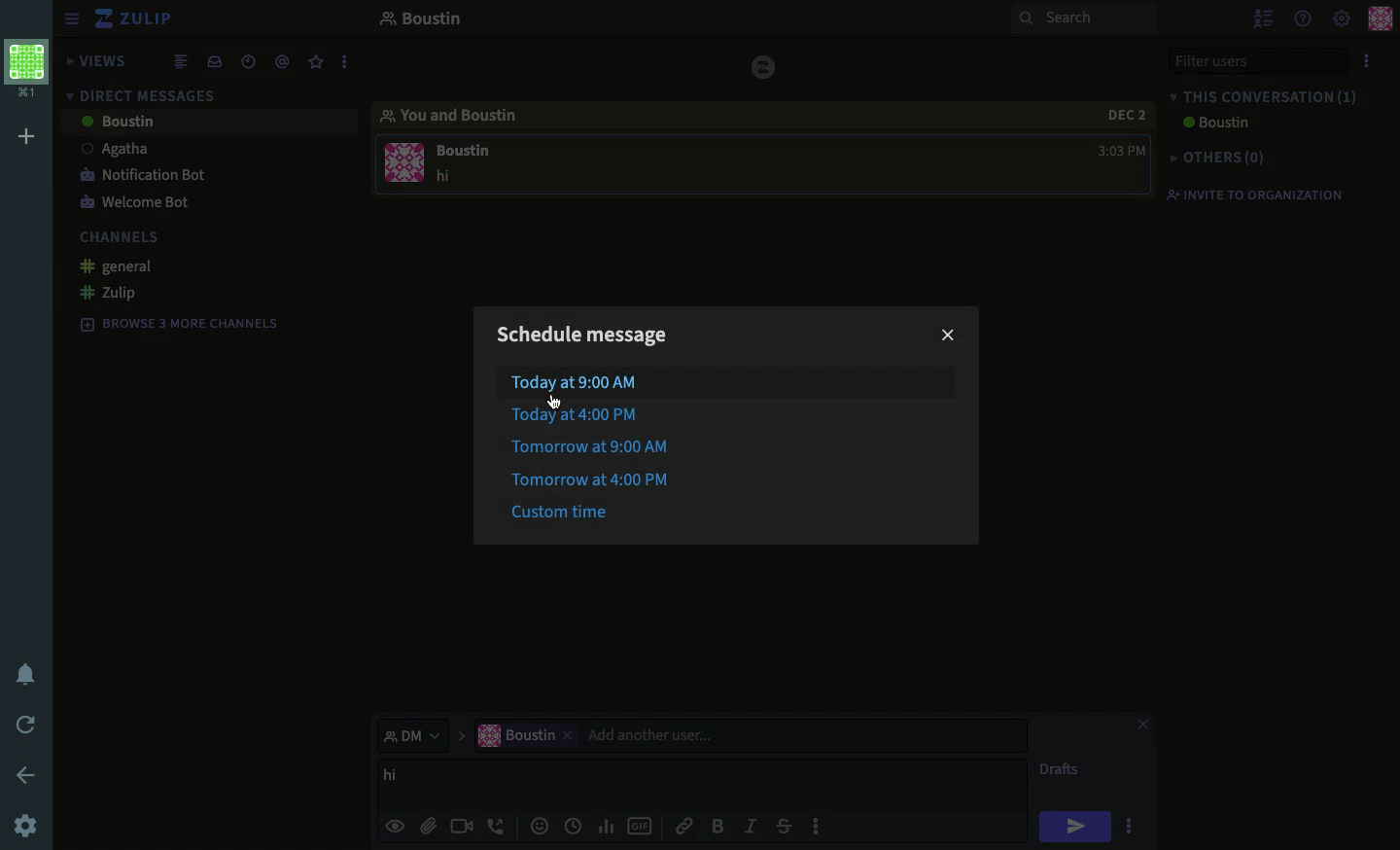  I want to click on general, so click(116, 267).